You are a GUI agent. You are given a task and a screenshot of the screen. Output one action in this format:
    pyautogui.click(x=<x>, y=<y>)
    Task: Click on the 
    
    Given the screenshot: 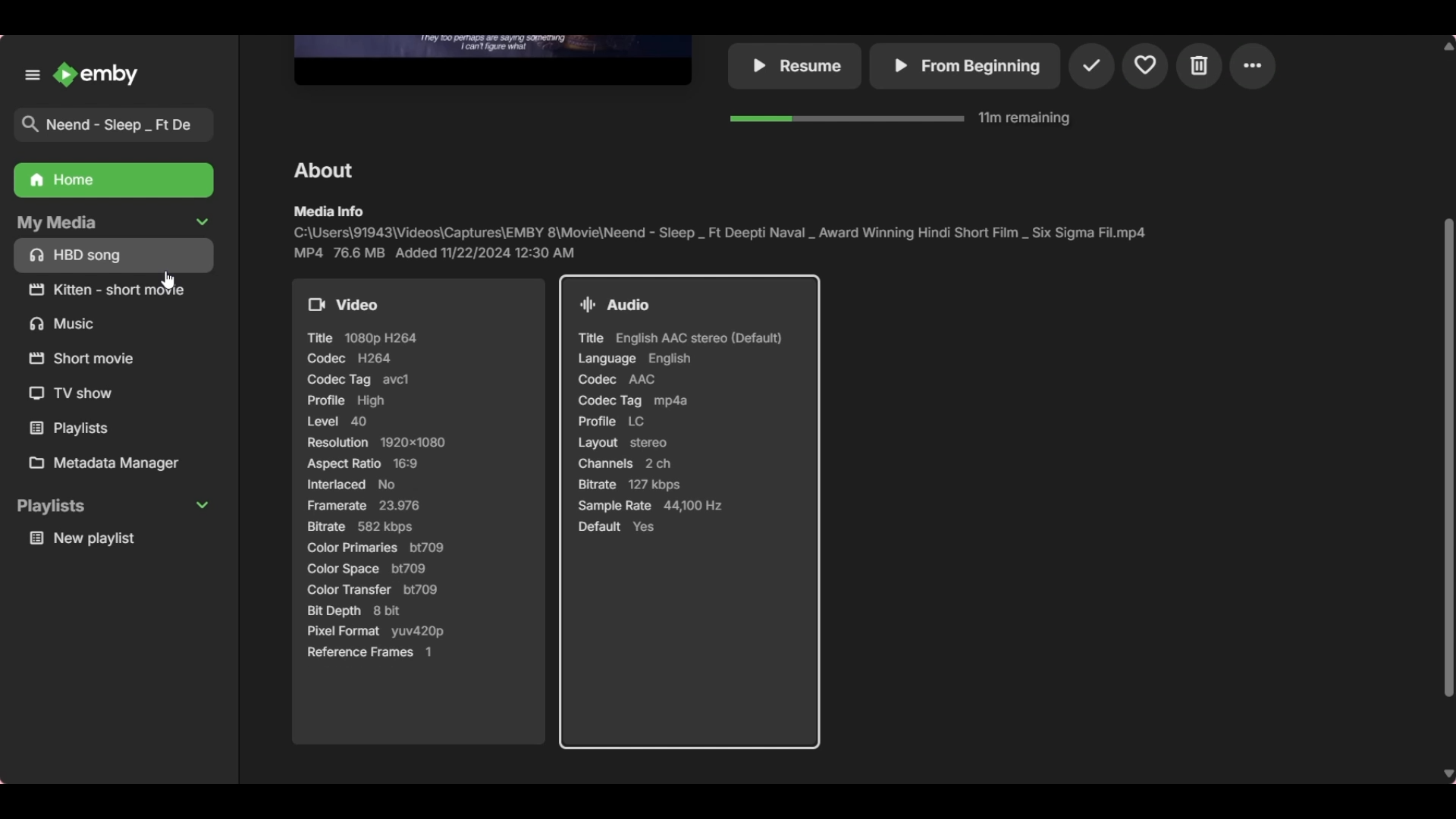 What is the action you would take?
    pyautogui.click(x=76, y=394)
    